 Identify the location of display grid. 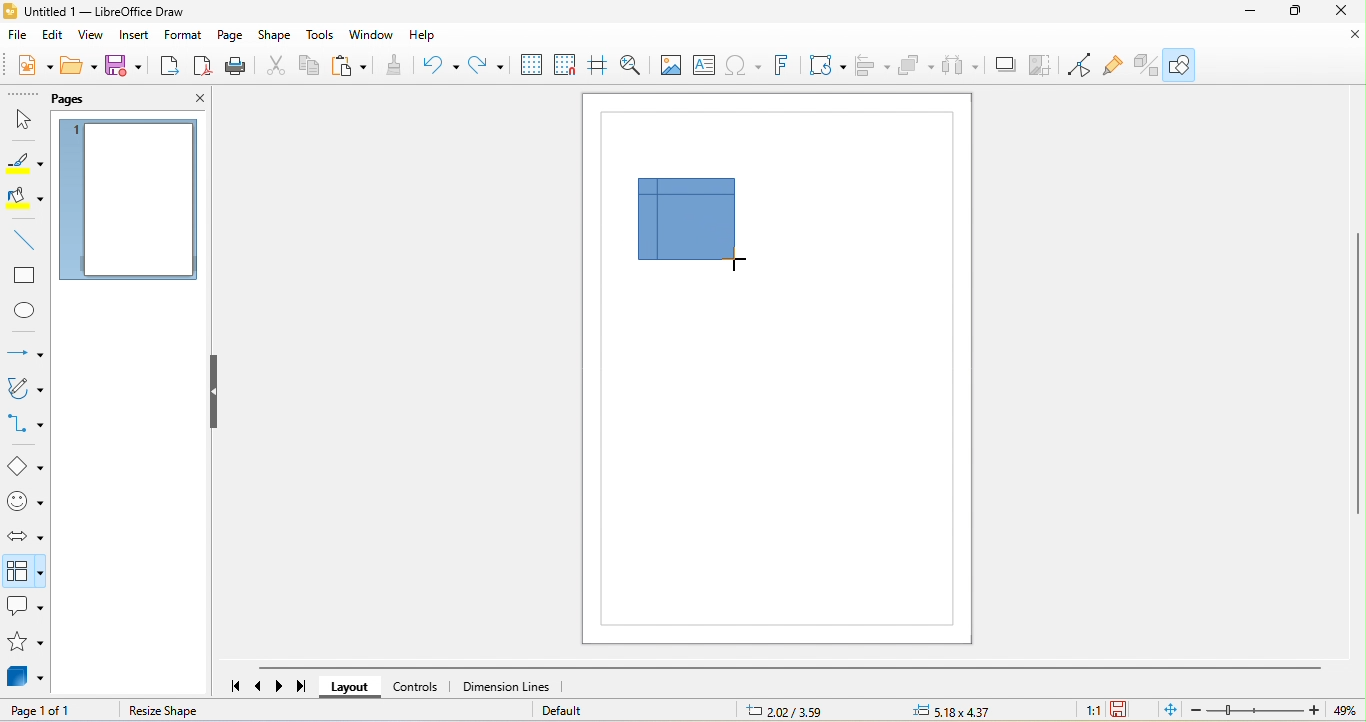
(533, 66).